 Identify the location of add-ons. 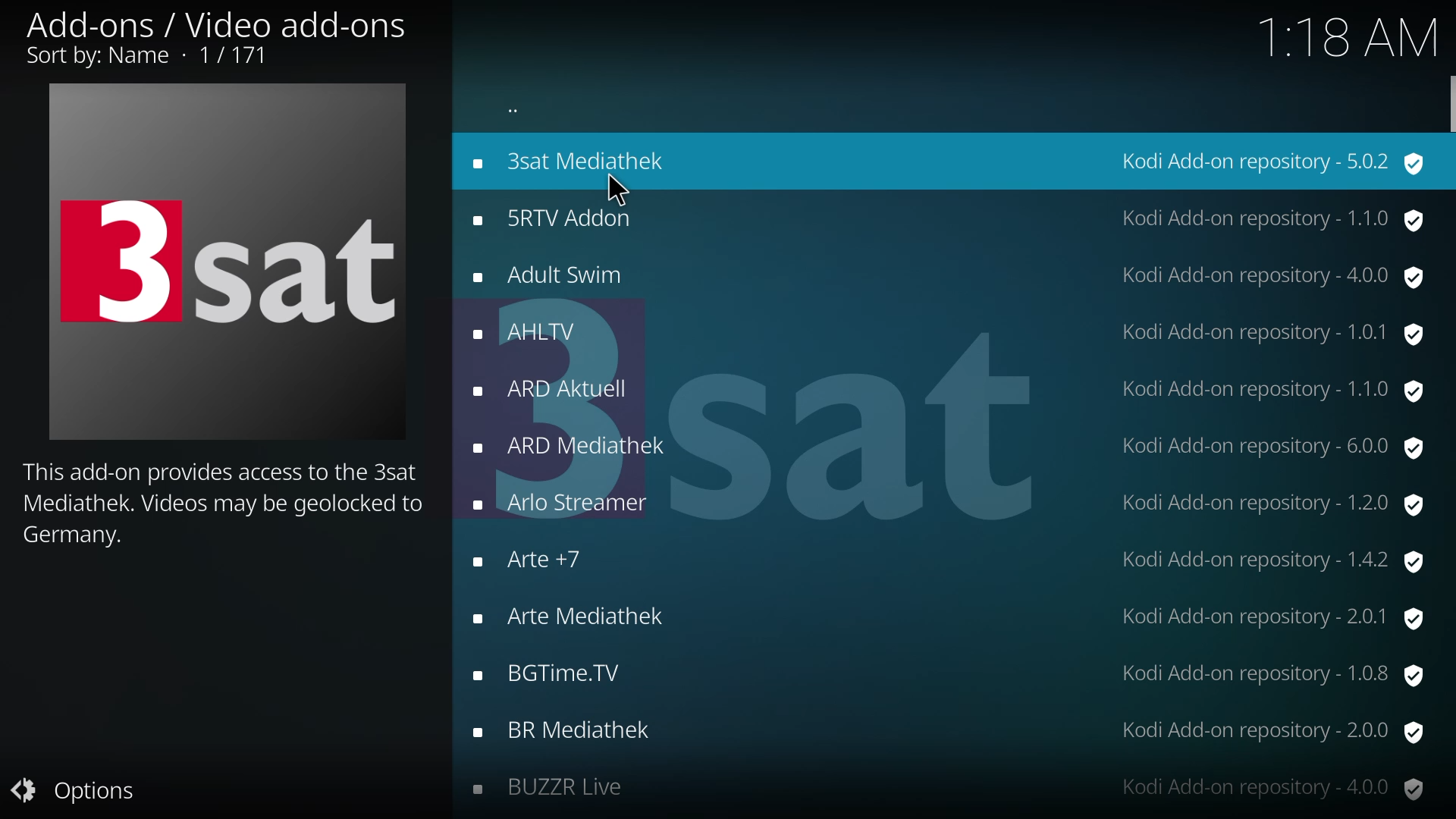
(546, 275).